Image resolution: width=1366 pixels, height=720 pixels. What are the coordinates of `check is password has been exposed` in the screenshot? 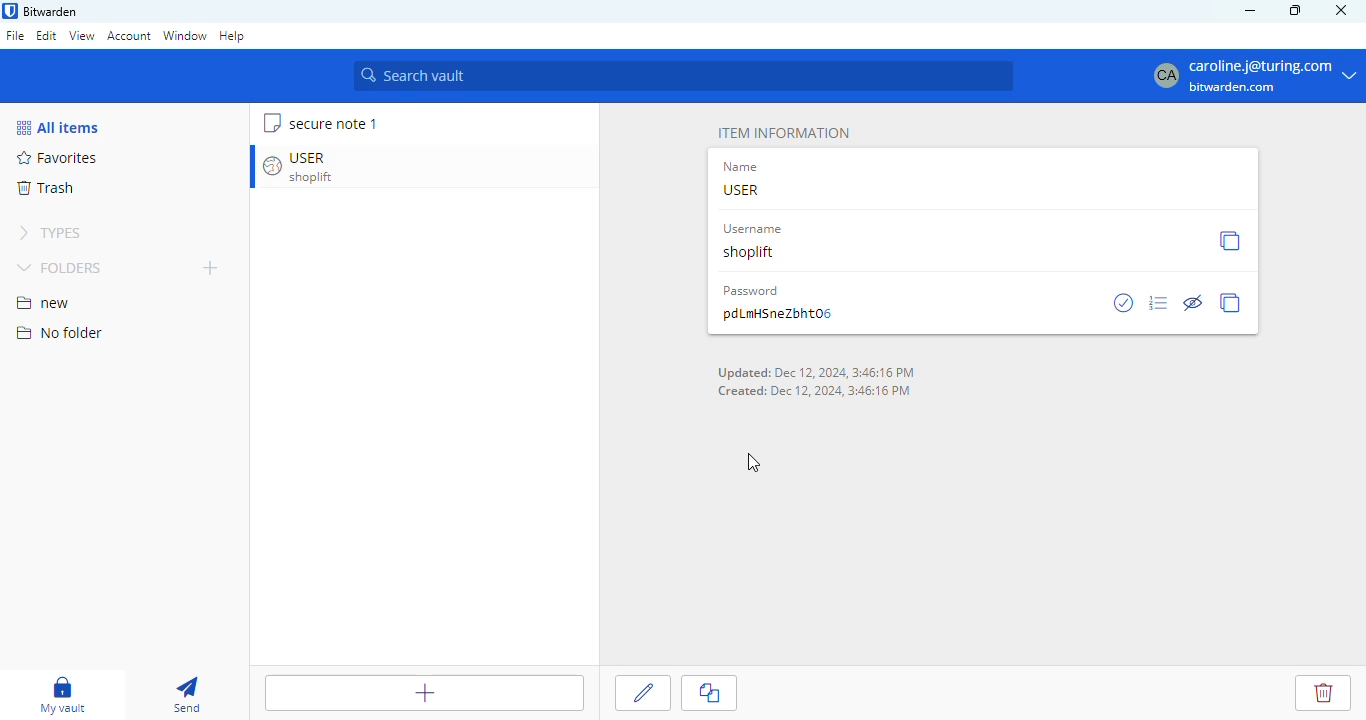 It's located at (1126, 303).